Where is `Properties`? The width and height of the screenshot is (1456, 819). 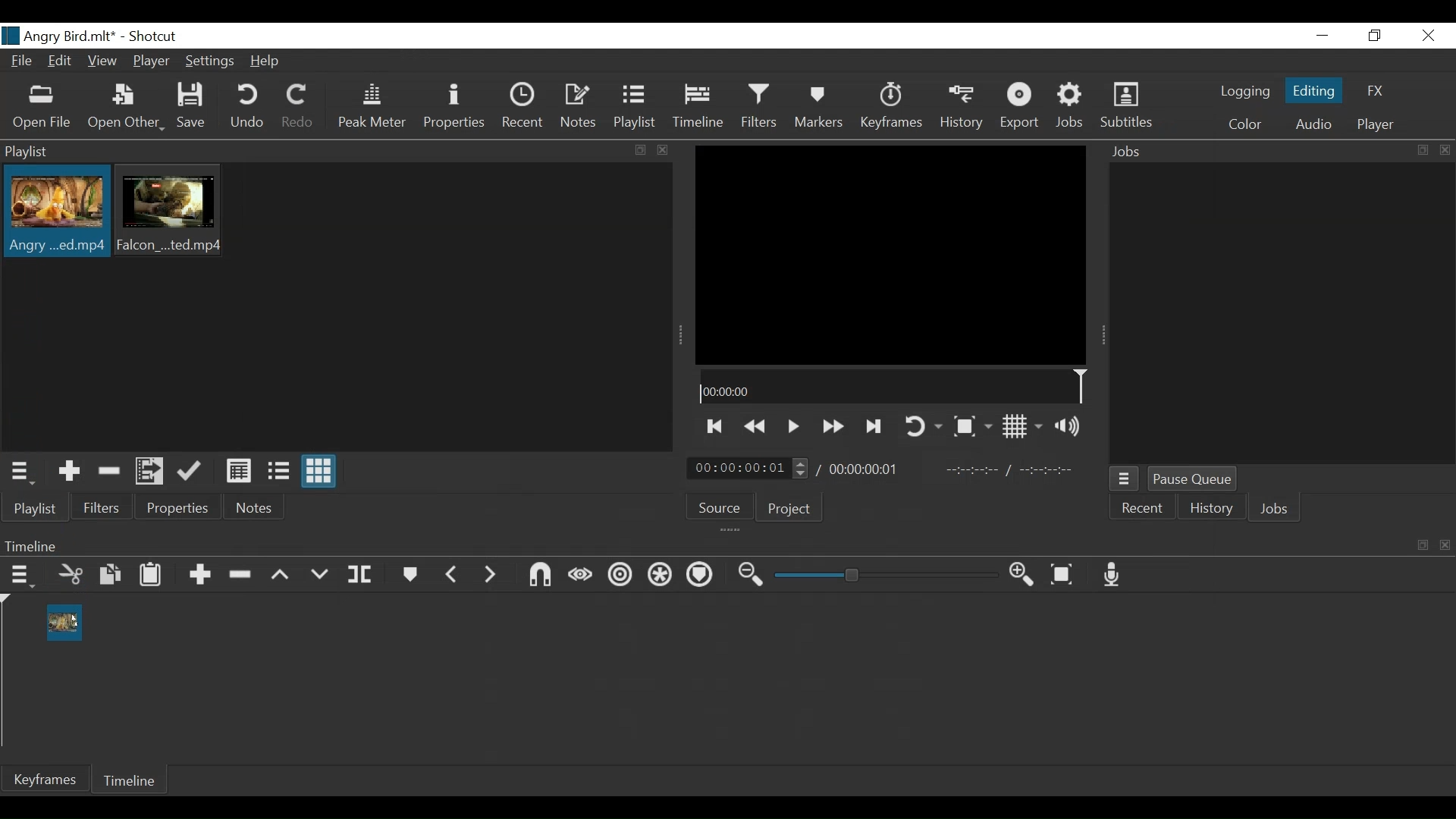 Properties is located at coordinates (456, 107).